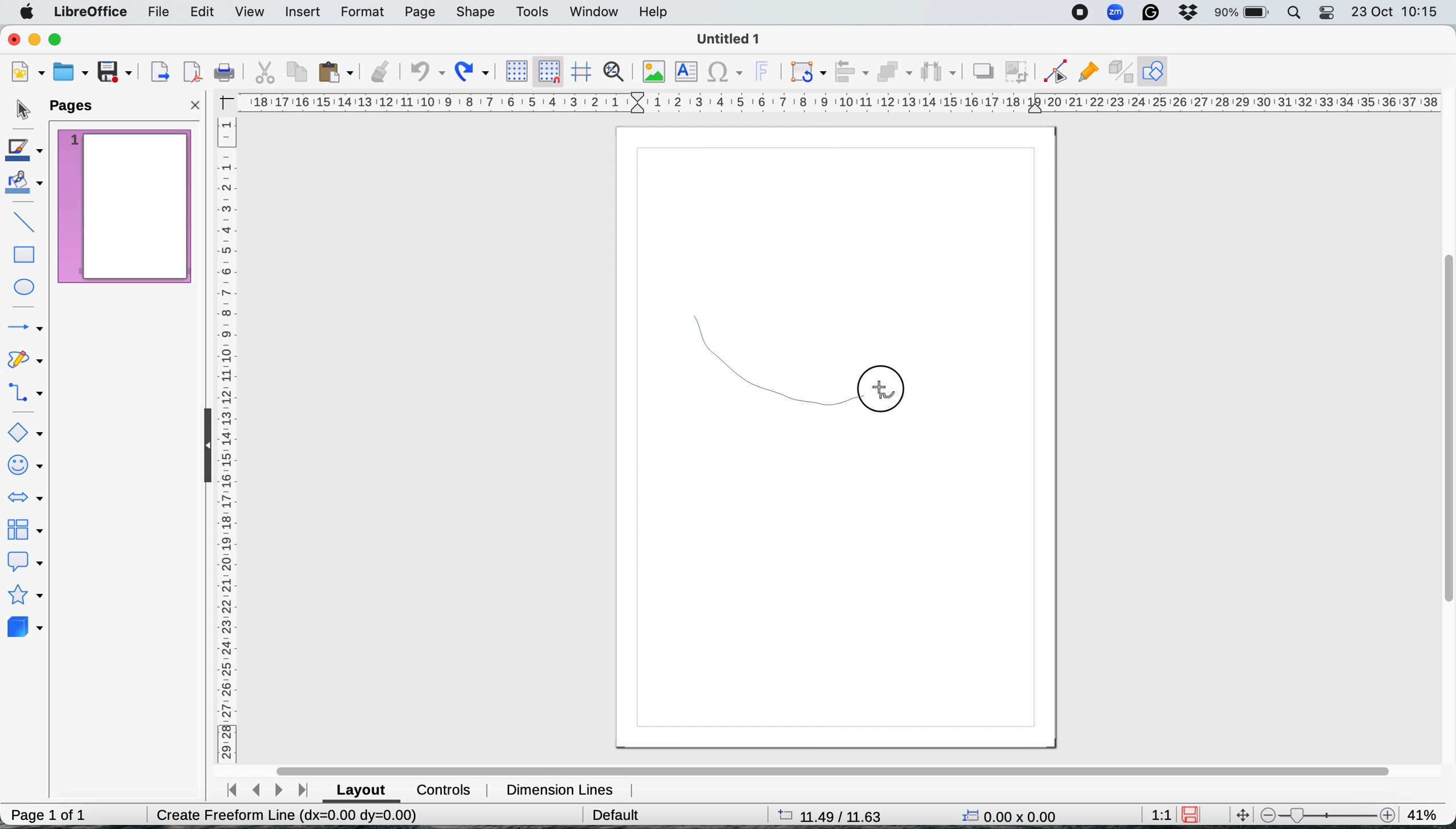 This screenshot has height=829, width=1456. I want to click on arrange, so click(894, 73).